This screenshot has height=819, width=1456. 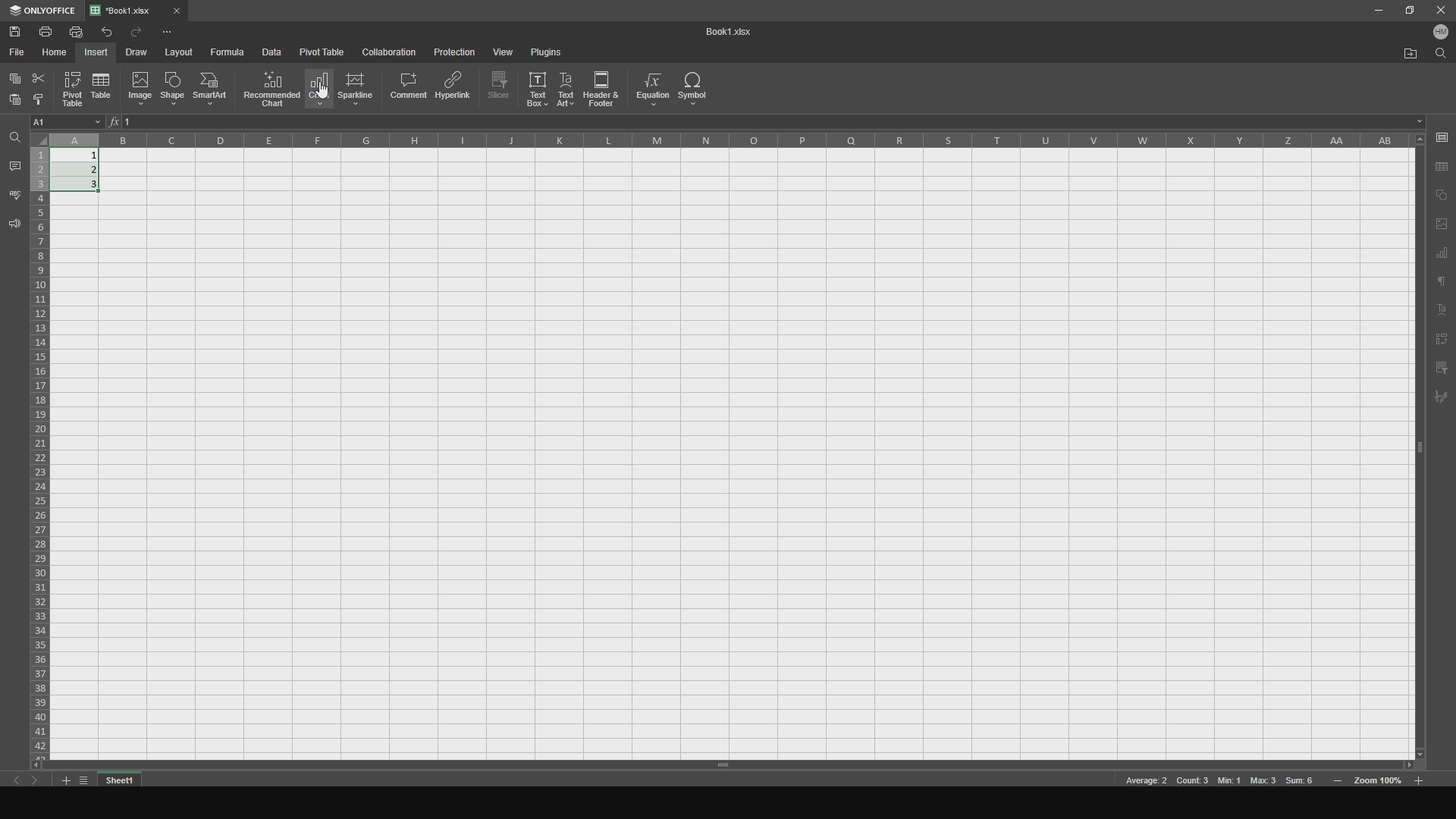 I want to click on cell functions, so click(x=769, y=123).